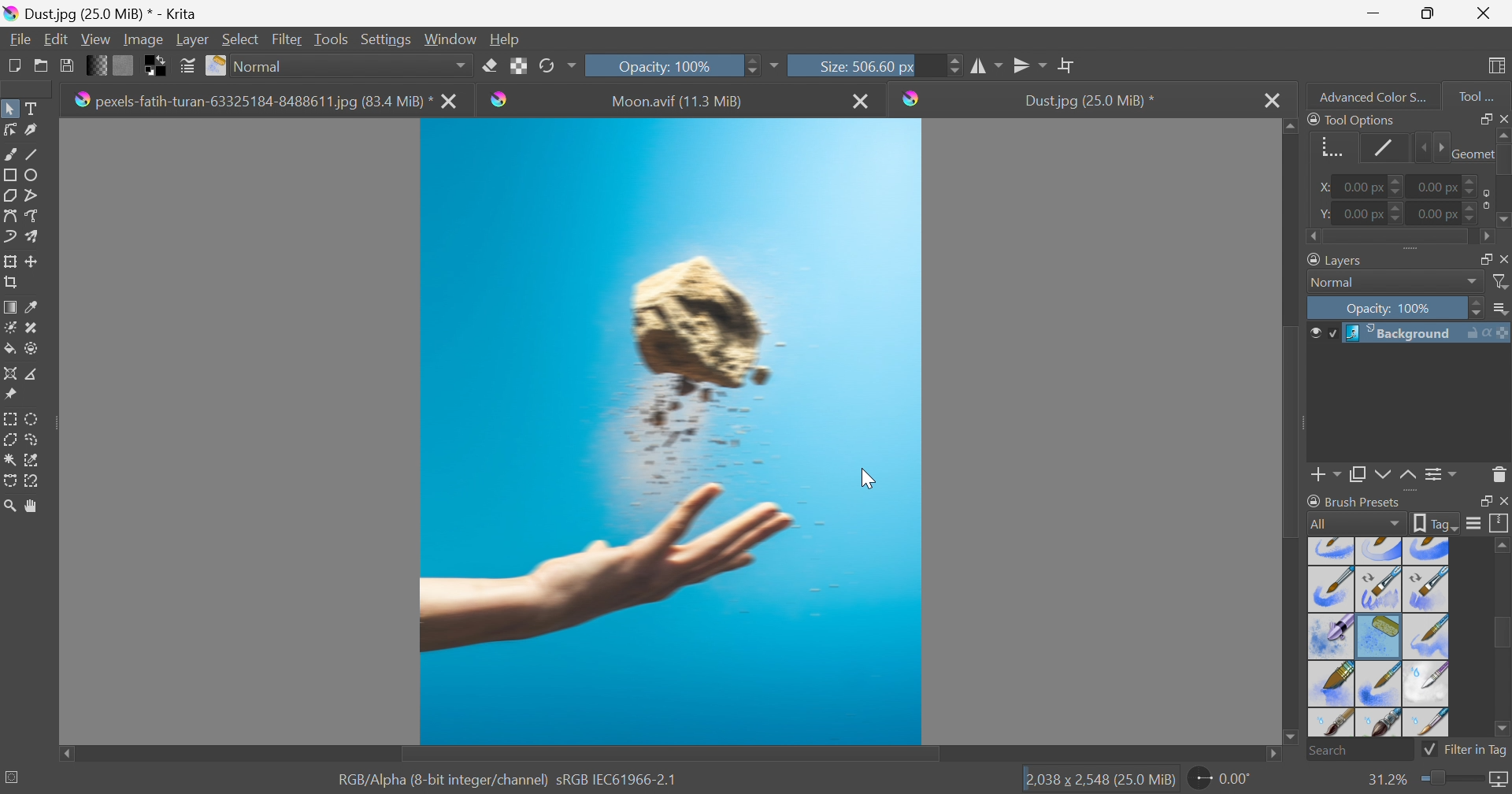 The width and height of the screenshot is (1512, 794). Describe the element at coordinates (1384, 147) in the screenshot. I see `Stroke` at that location.